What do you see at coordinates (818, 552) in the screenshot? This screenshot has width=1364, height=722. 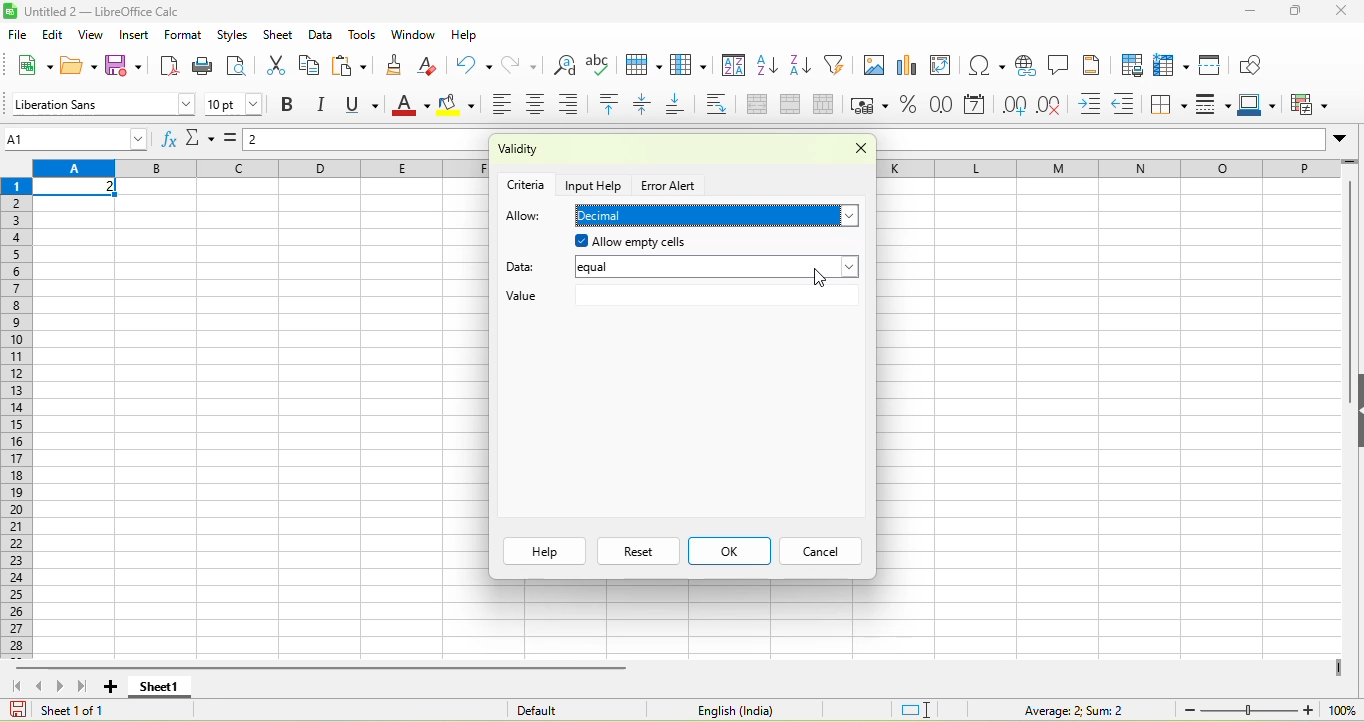 I see `cancel` at bounding box center [818, 552].